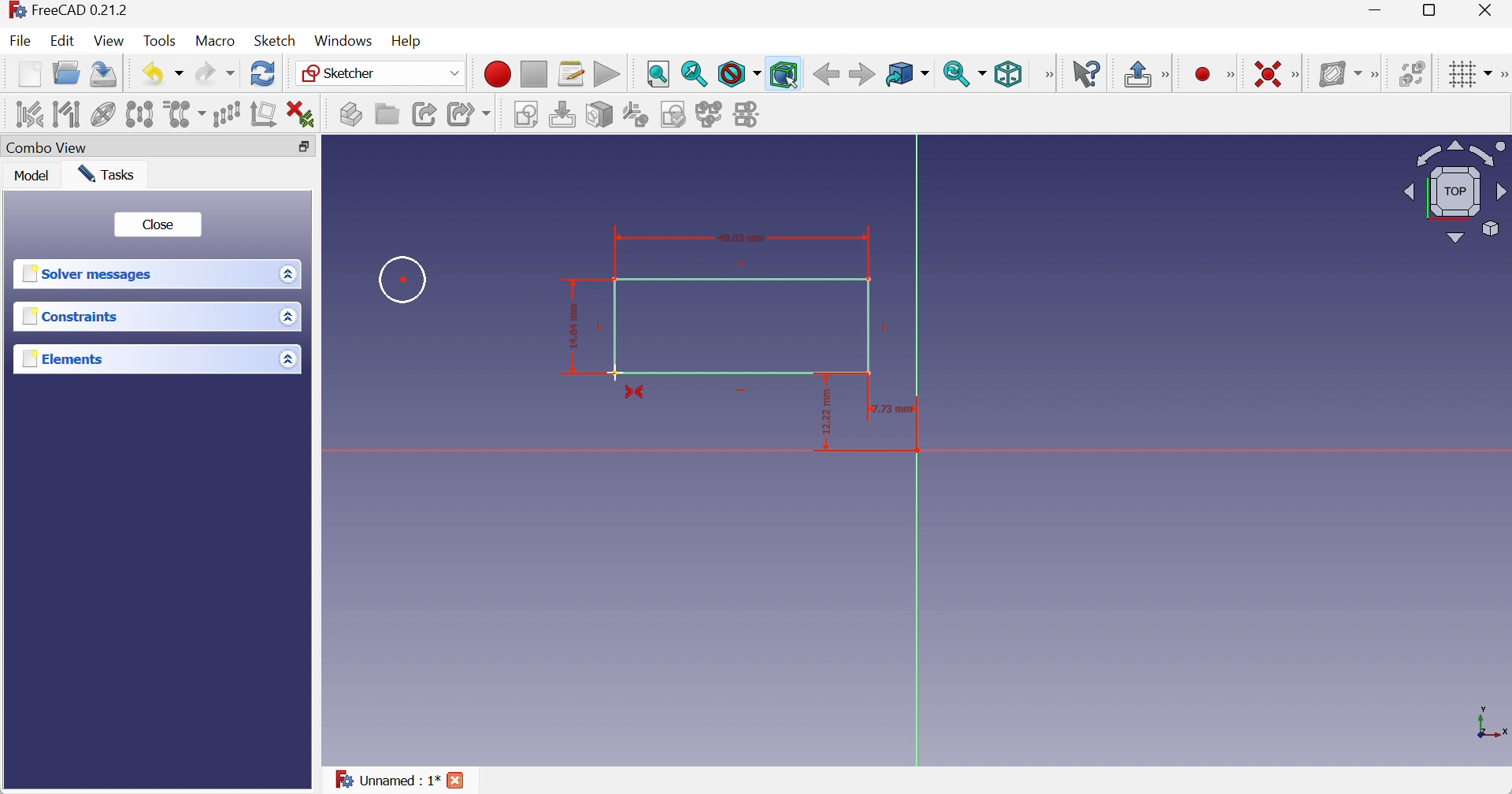  I want to click on Cursor, so click(613, 374).